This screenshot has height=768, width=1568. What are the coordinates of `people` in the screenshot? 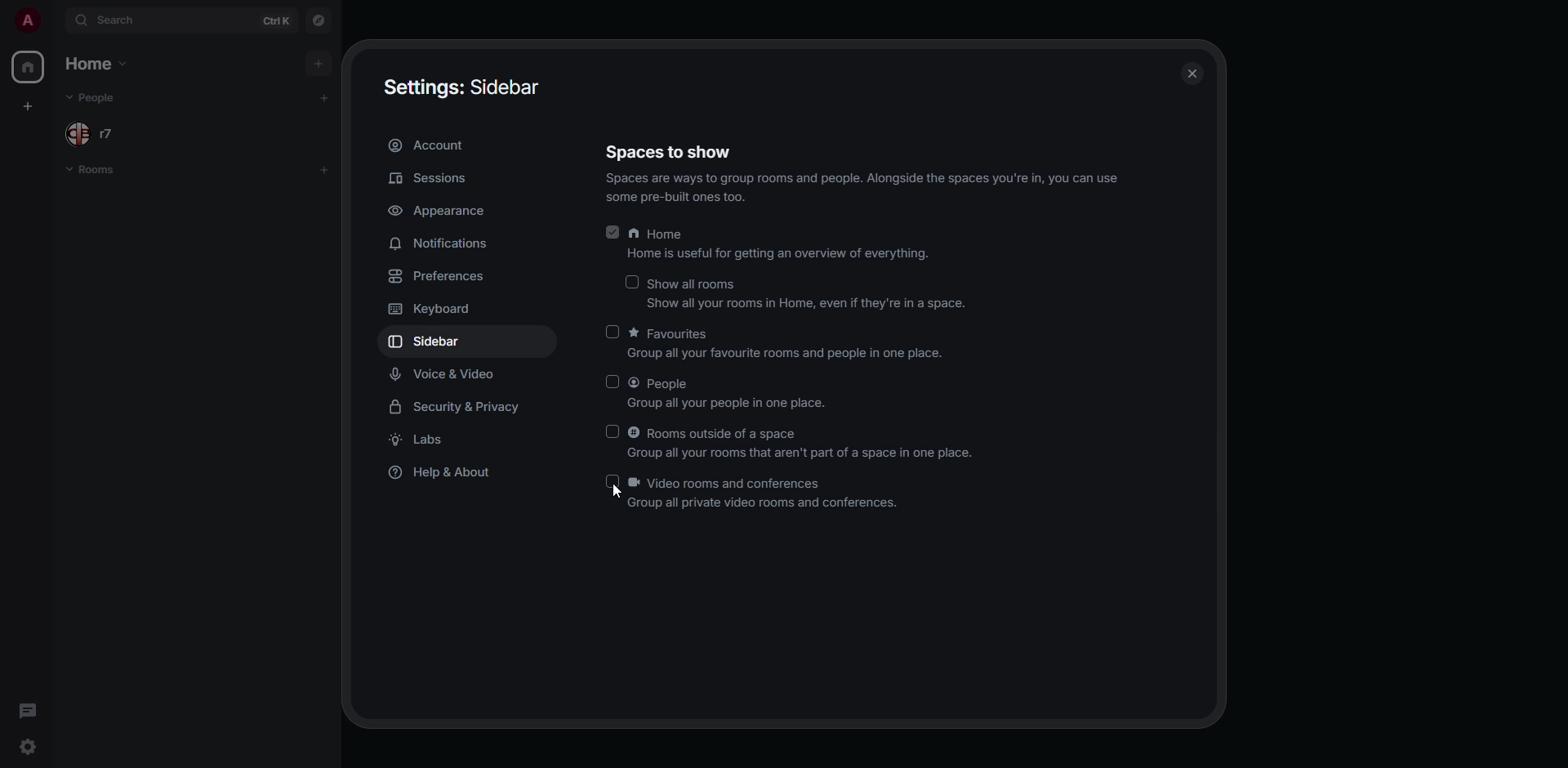 It's located at (728, 394).